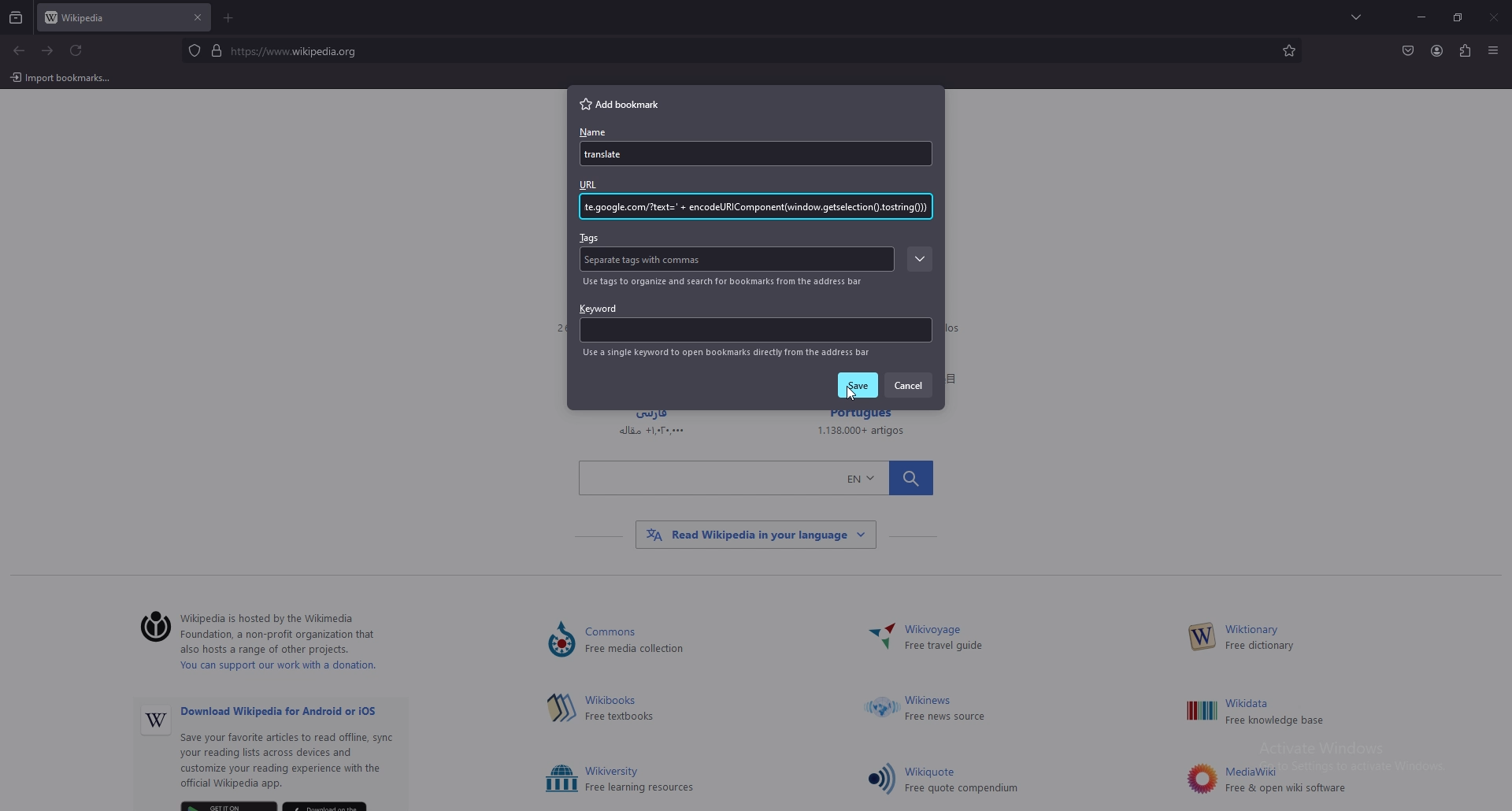  What do you see at coordinates (654, 641) in the screenshot?
I see `Lommons
) Free media collection` at bounding box center [654, 641].